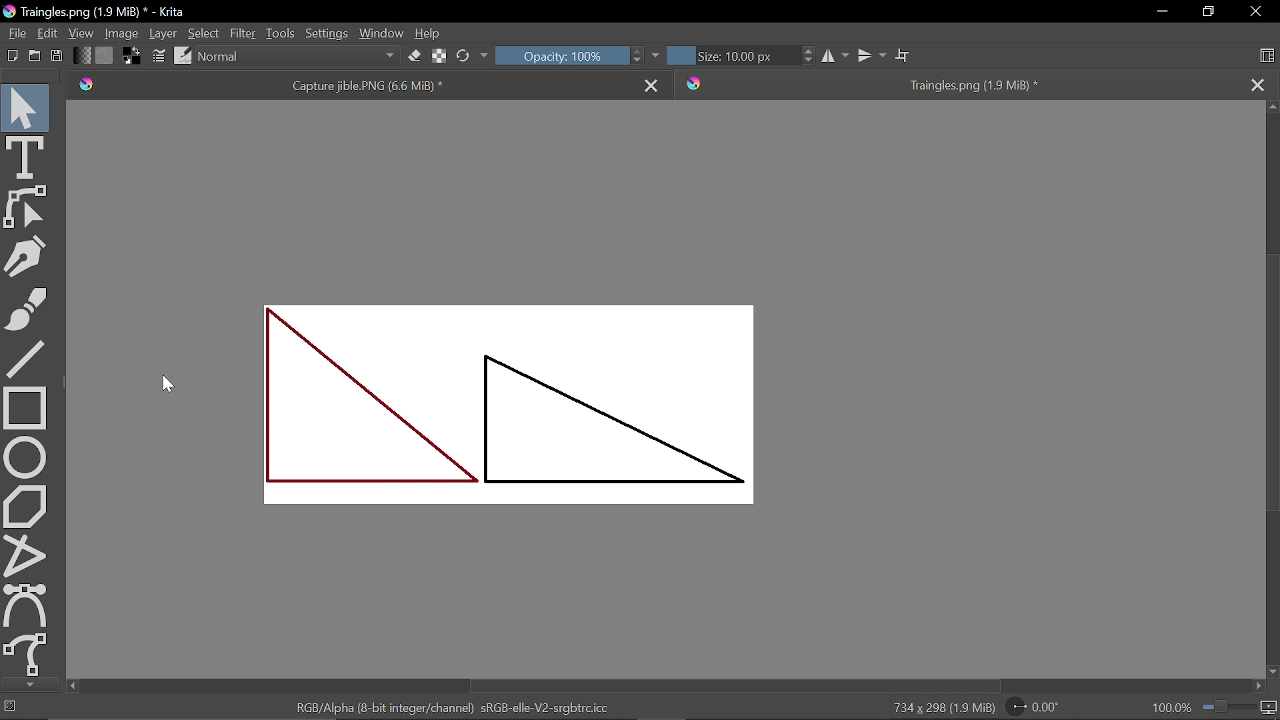 The image size is (1280, 720). What do you see at coordinates (164, 33) in the screenshot?
I see `Layer` at bounding box center [164, 33].